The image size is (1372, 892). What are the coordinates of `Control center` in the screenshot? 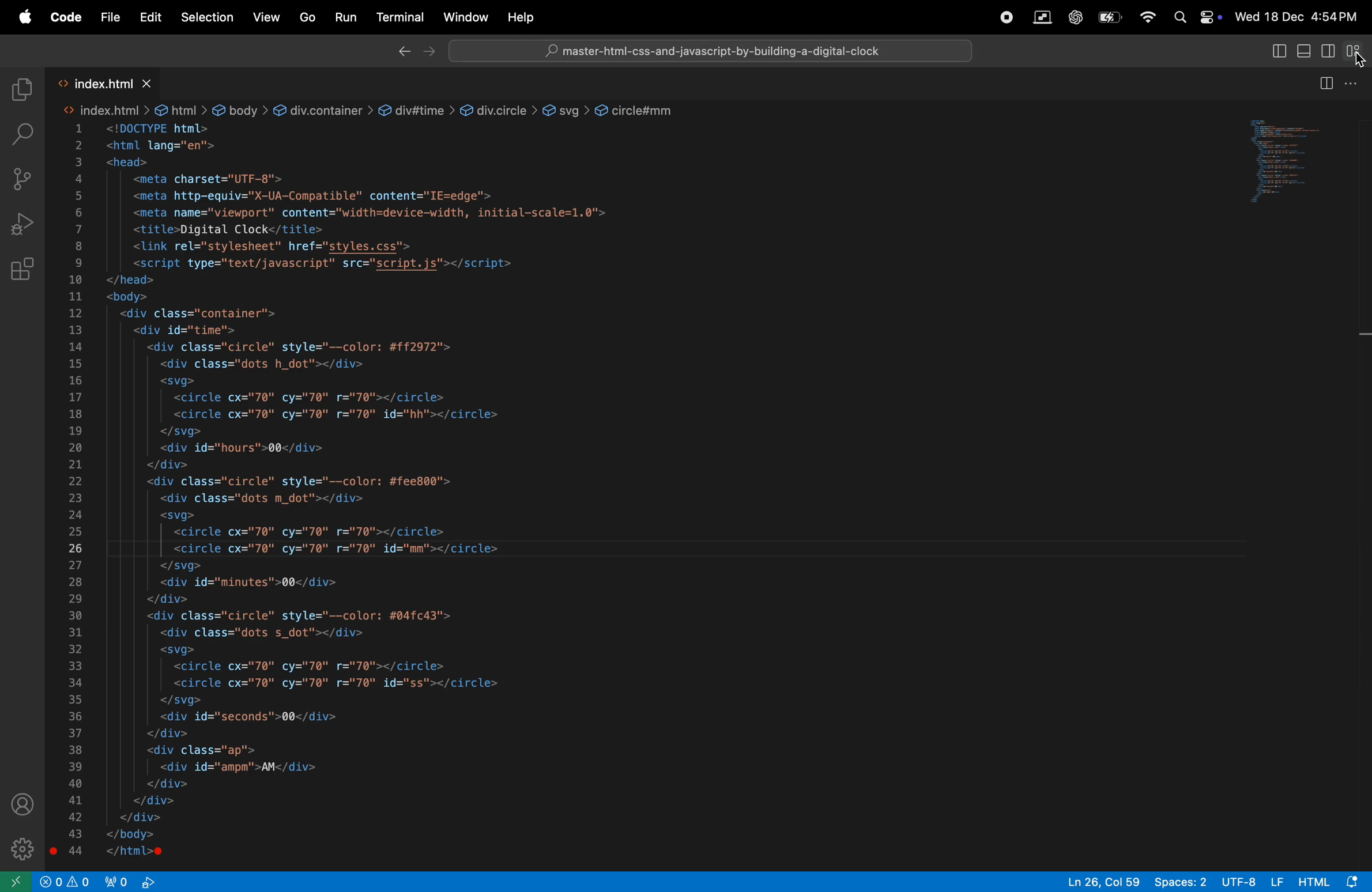 It's located at (1211, 18).